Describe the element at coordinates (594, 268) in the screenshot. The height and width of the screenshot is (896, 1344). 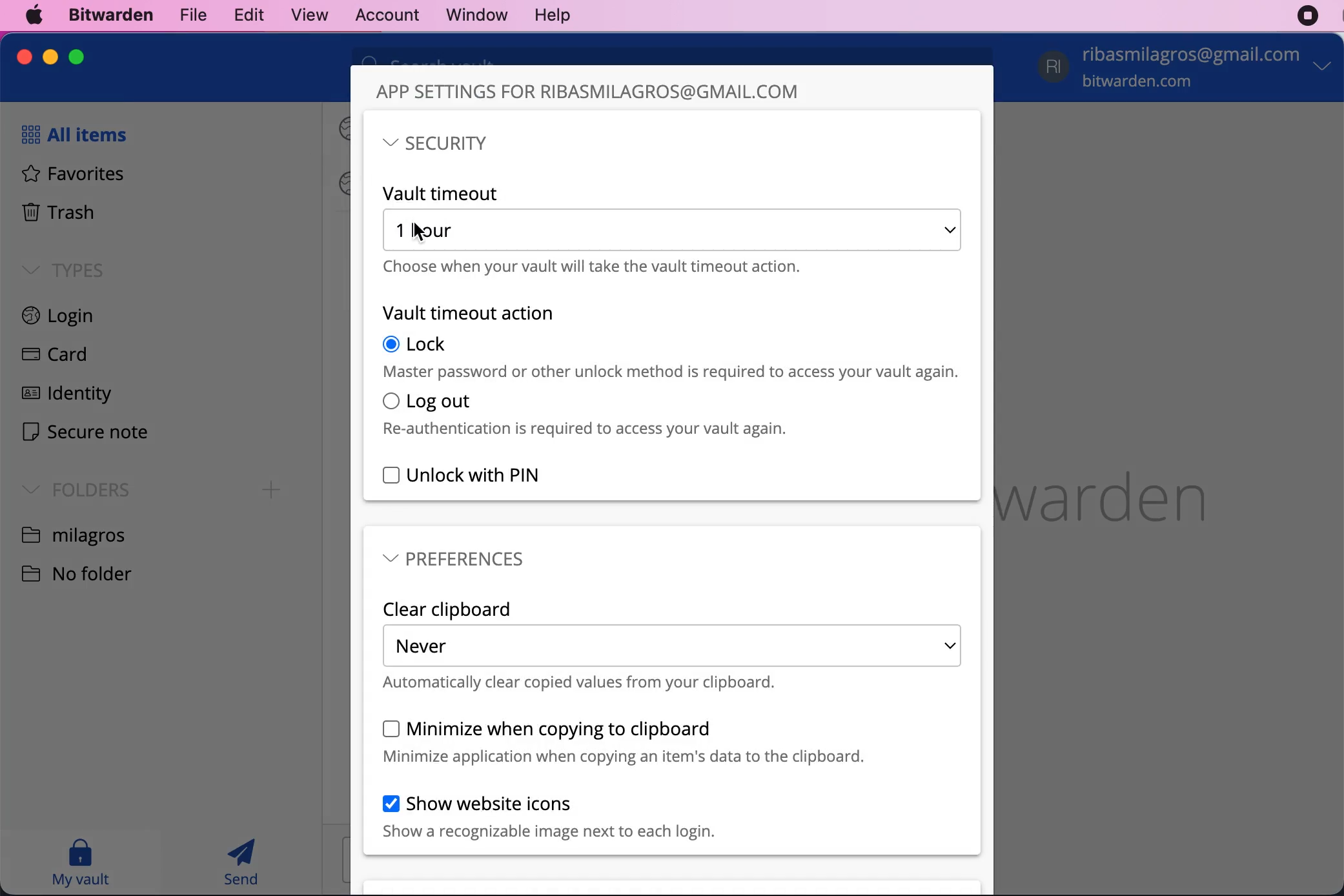
I see `choose when your vault will take the vault timeout action` at that location.